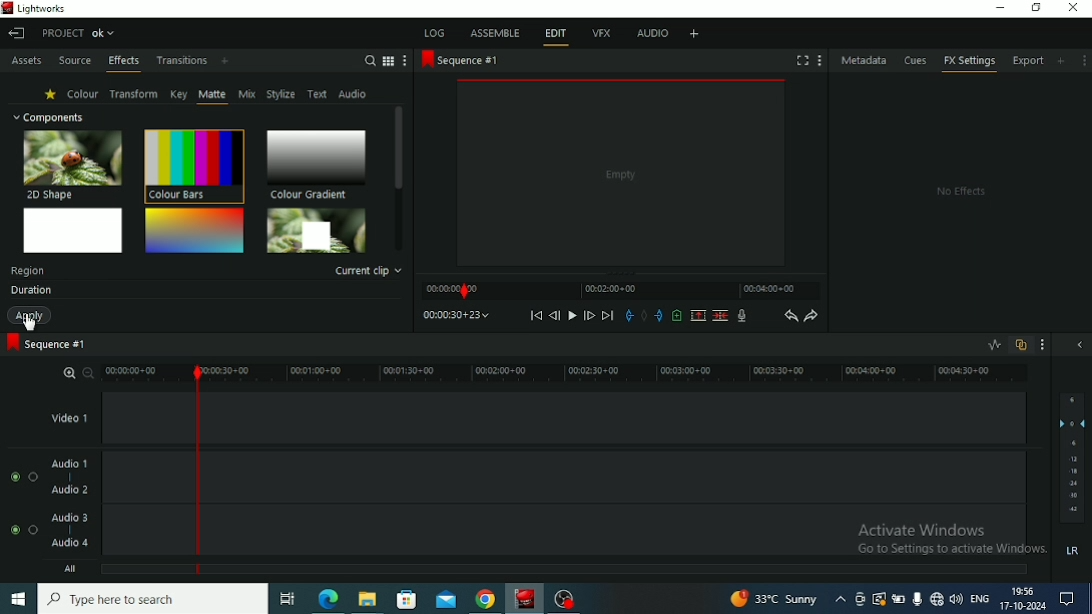 The height and width of the screenshot is (614, 1092). I want to click on Slider, so click(621, 373).